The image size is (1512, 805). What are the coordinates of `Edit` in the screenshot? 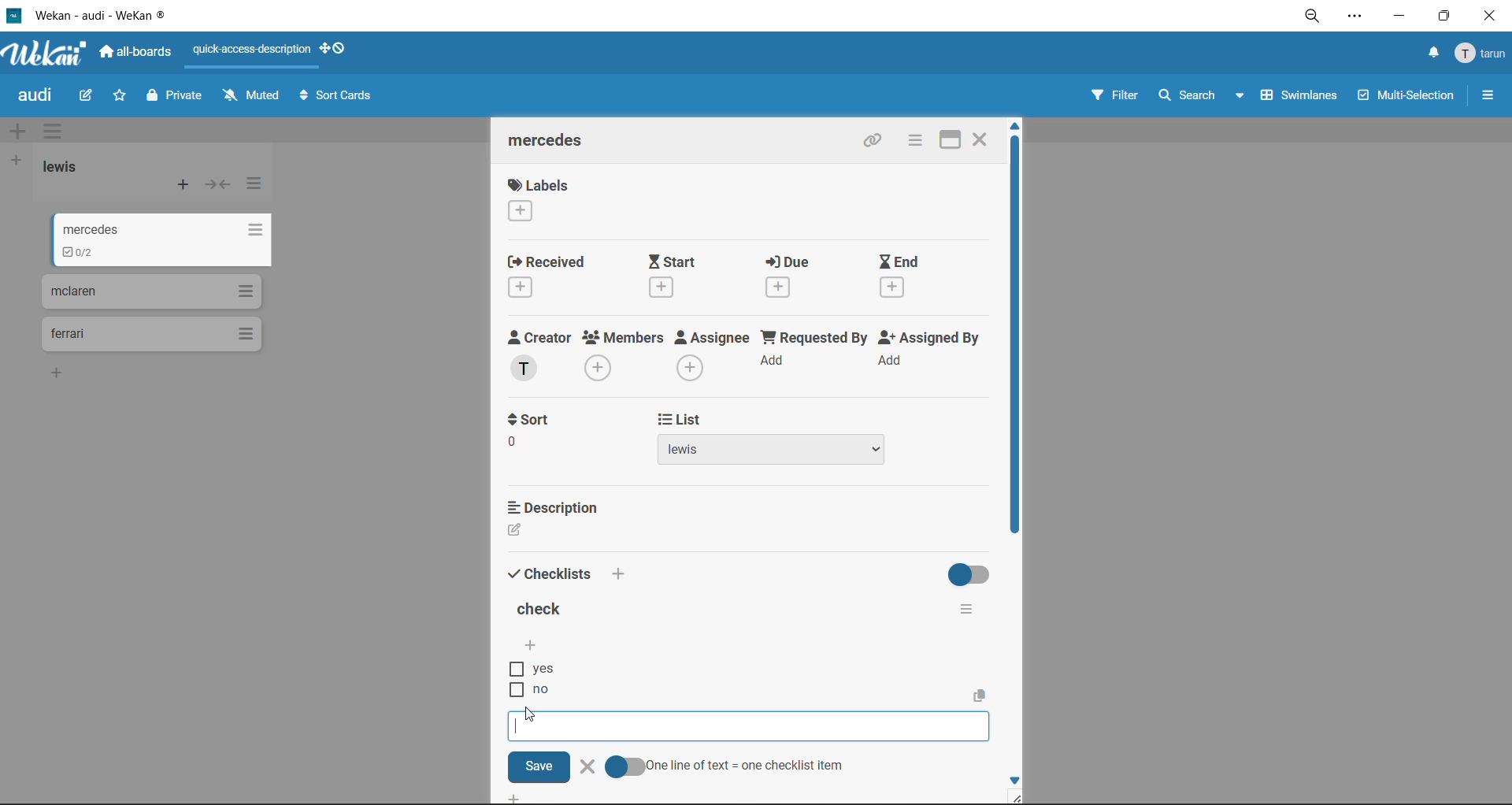 It's located at (514, 530).